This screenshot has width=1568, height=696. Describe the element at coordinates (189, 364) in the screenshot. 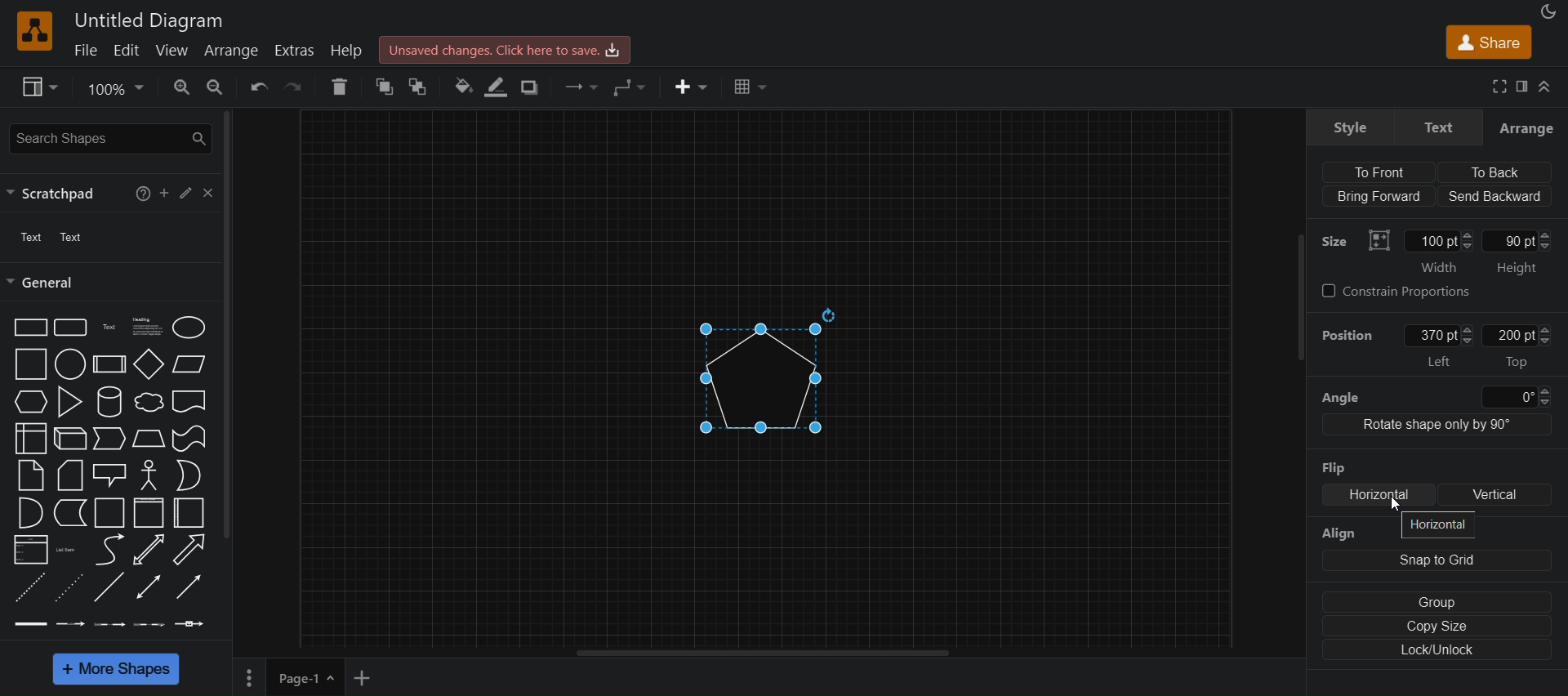

I see `Parallelogram` at that location.